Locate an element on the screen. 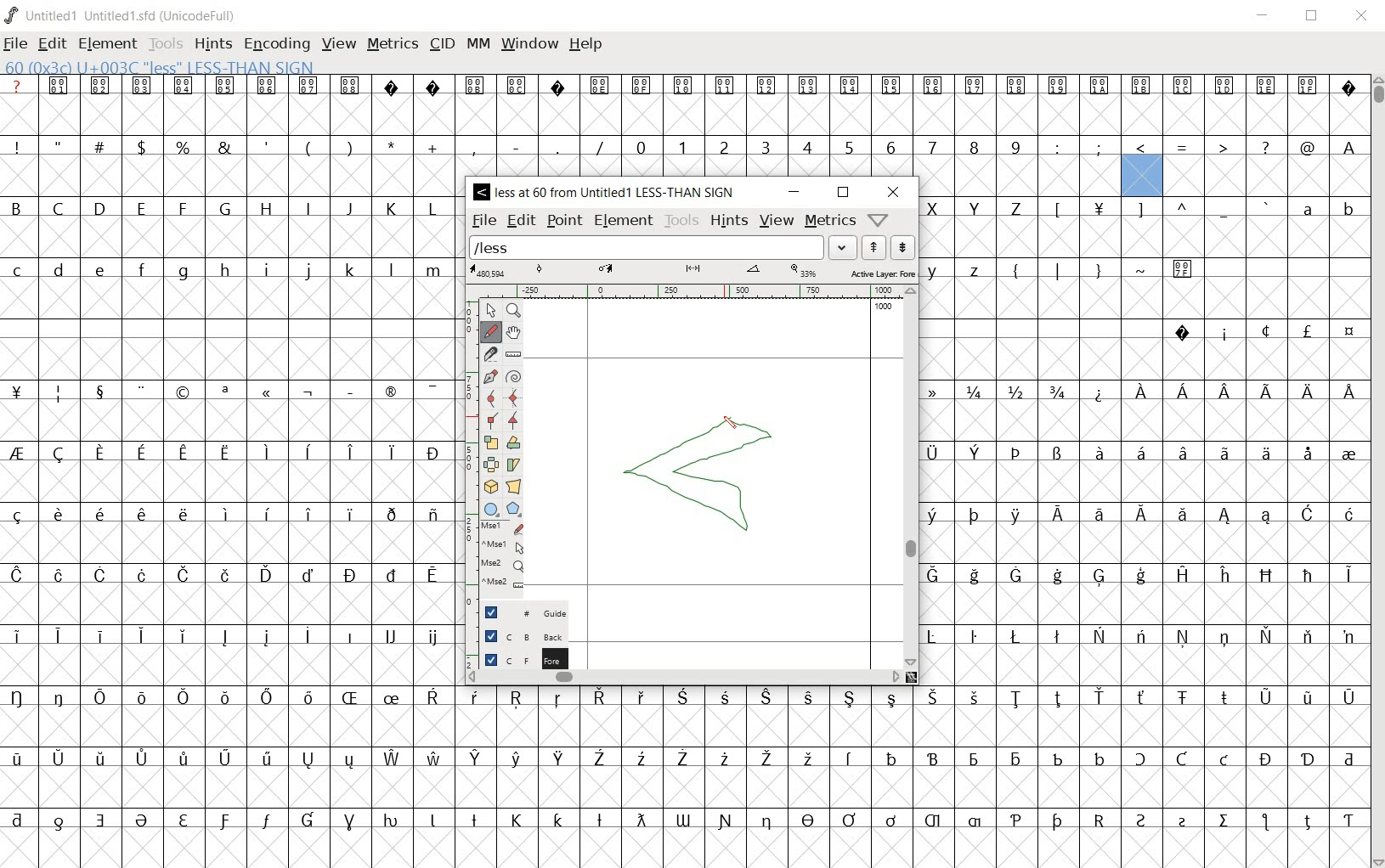 This screenshot has width=1385, height=868. capital letters X Y Y is located at coordinates (980, 206).